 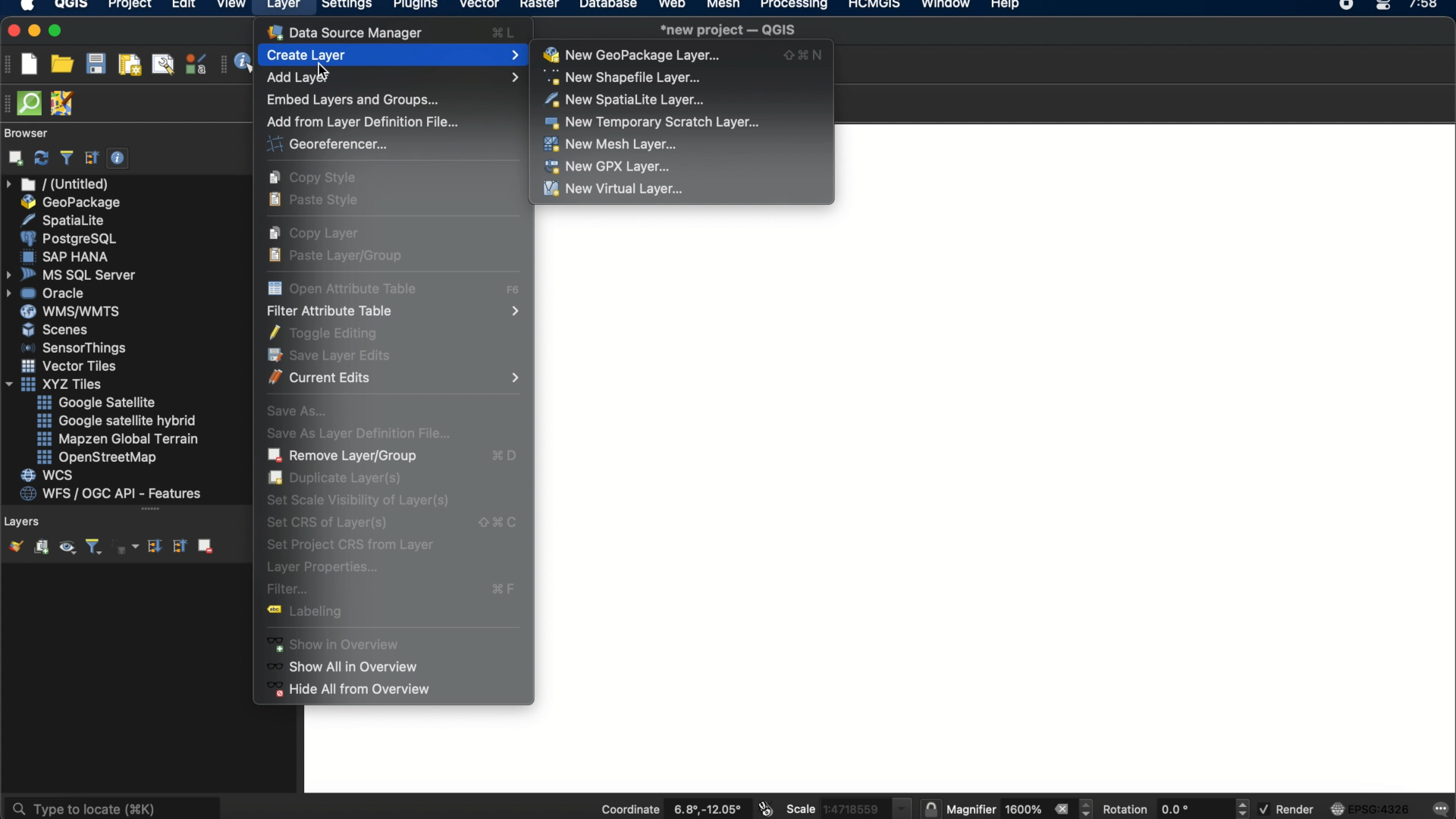 I want to click on recorder icon, so click(x=1348, y=6).